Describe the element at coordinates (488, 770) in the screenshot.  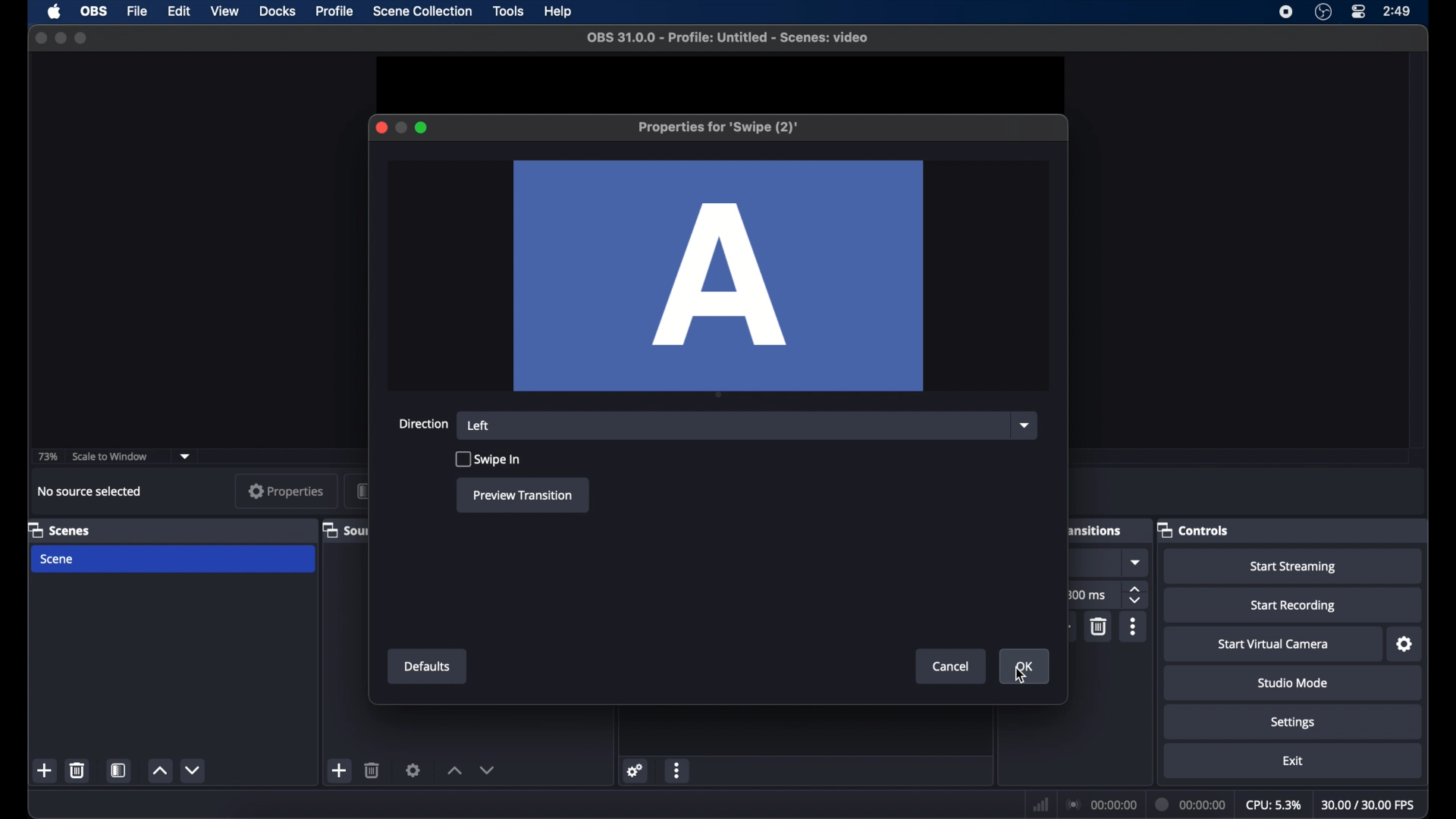
I see `decrement` at that location.